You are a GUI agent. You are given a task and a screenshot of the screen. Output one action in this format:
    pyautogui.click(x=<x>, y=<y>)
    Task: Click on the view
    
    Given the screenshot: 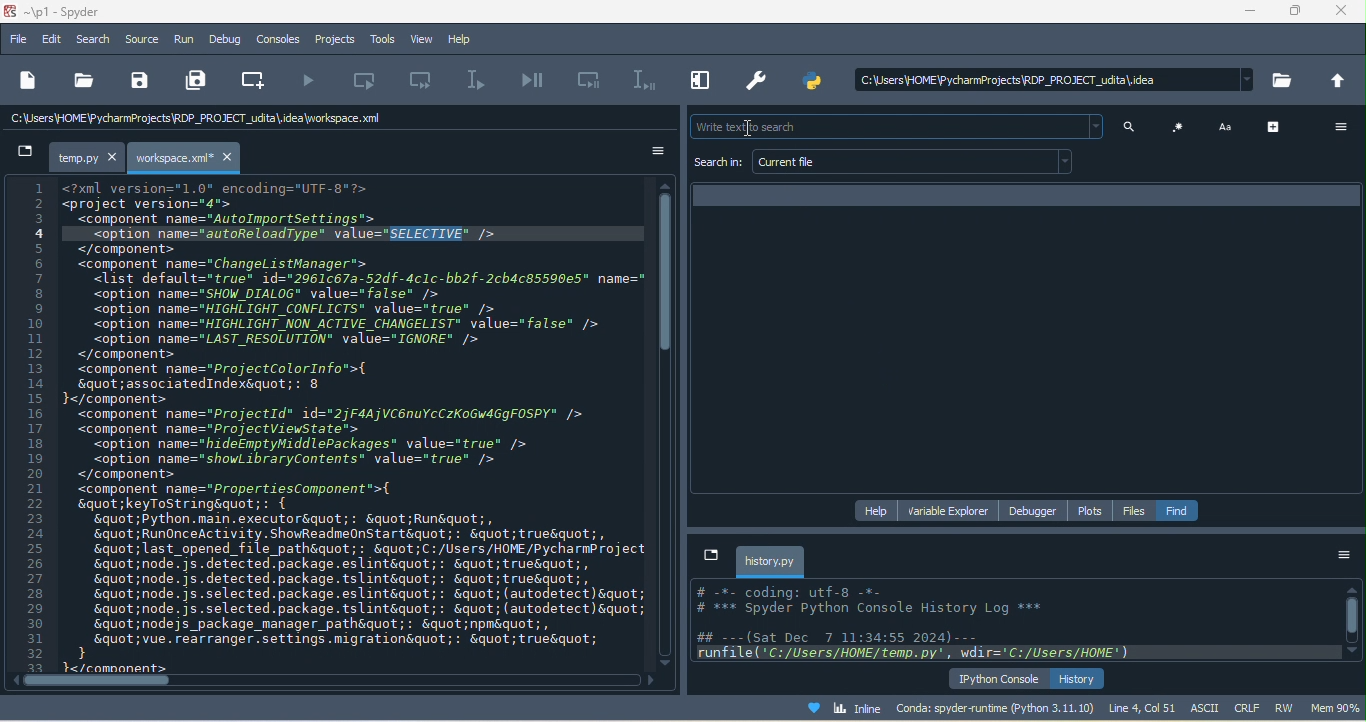 What is the action you would take?
    pyautogui.click(x=419, y=40)
    